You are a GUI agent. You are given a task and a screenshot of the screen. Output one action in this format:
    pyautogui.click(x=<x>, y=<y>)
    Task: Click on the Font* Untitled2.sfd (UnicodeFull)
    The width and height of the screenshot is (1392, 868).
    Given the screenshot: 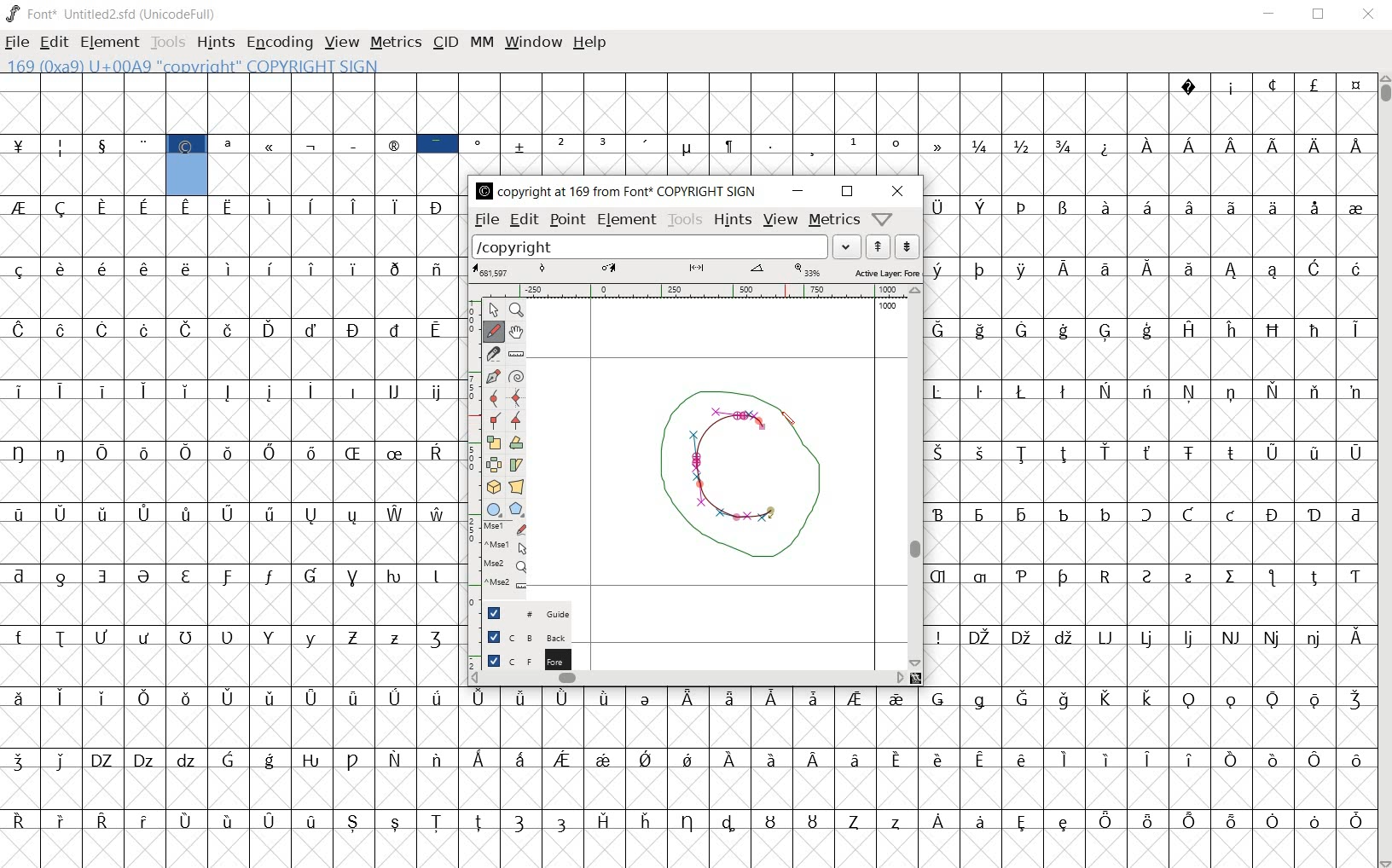 What is the action you would take?
    pyautogui.click(x=113, y=14)
    